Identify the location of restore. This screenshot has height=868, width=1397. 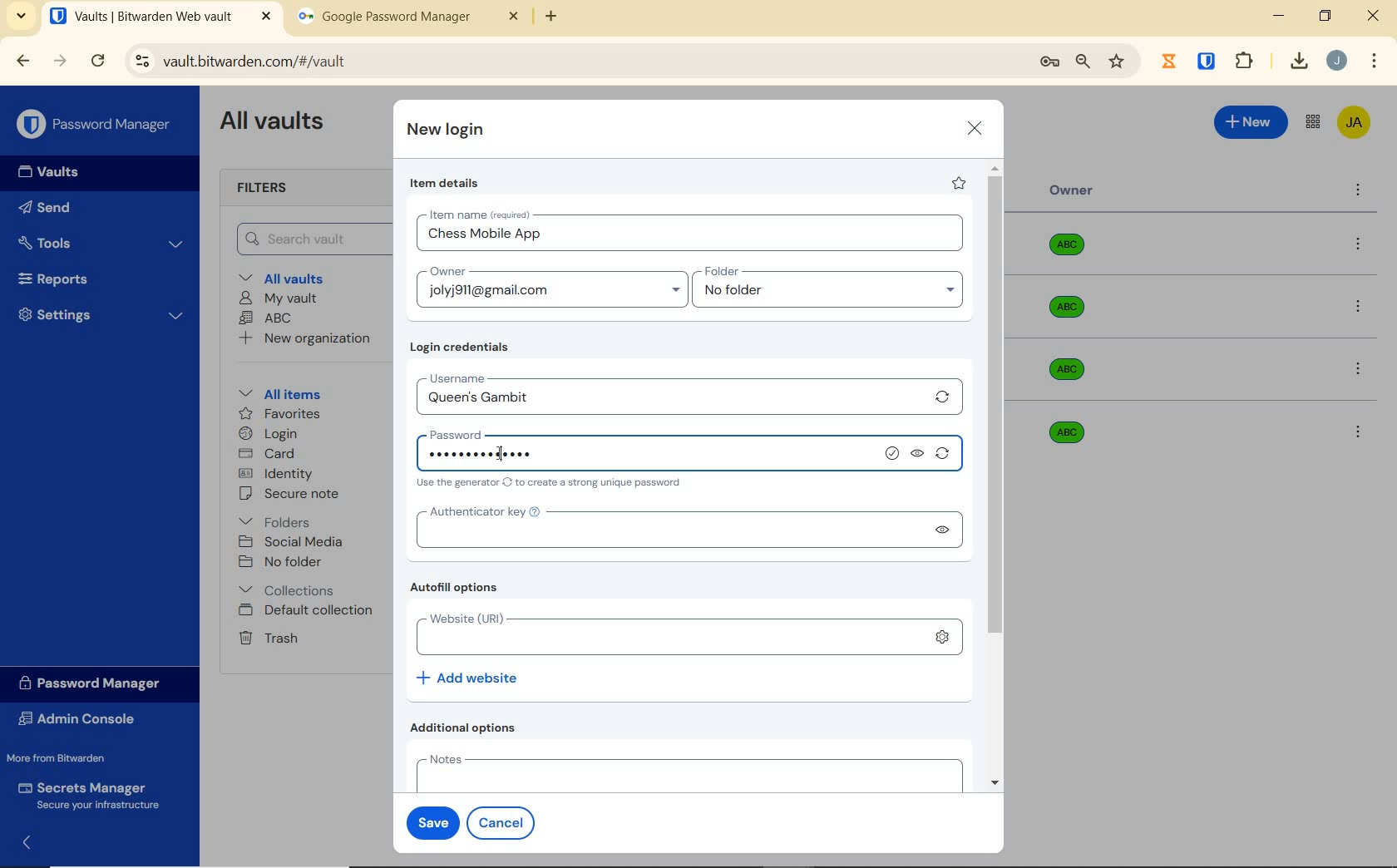
(1324, 16).